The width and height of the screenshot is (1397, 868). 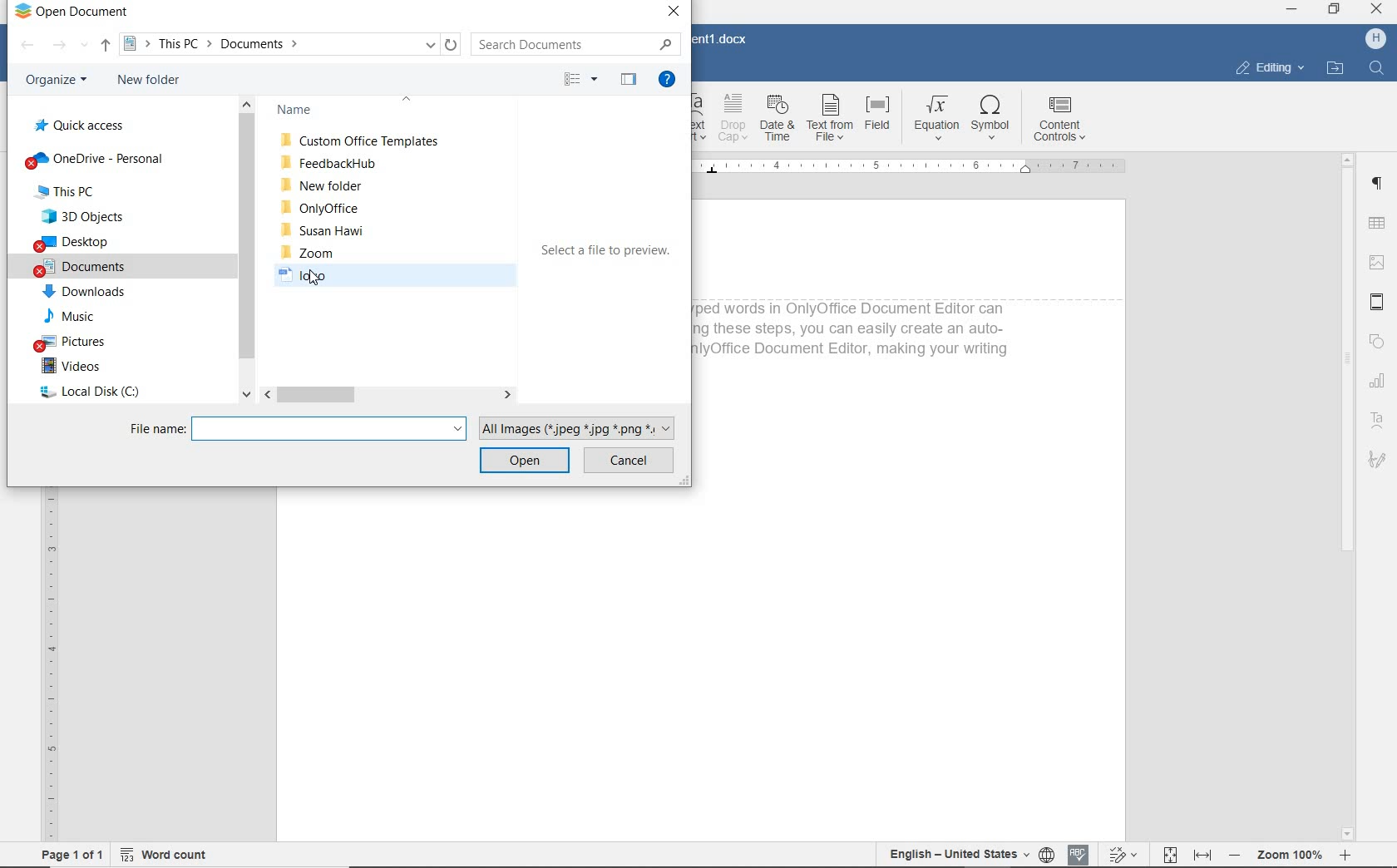 What do you see at coordinates (1122, 854) in the screenshot?
I see `Track changes` at bounding box center [1122, 854].